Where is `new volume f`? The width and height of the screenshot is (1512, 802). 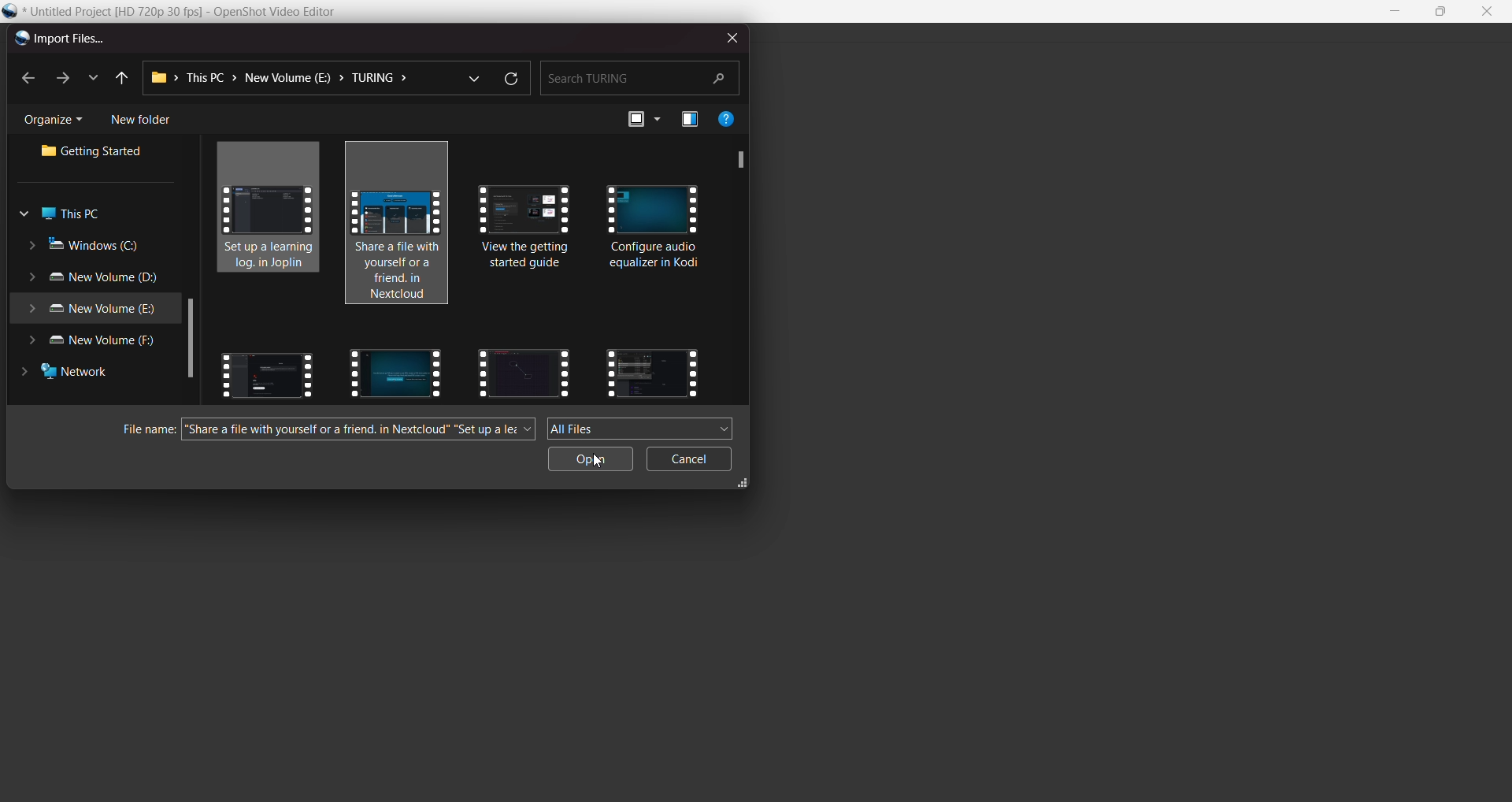
new volume f is located at coordinates (98, 343).